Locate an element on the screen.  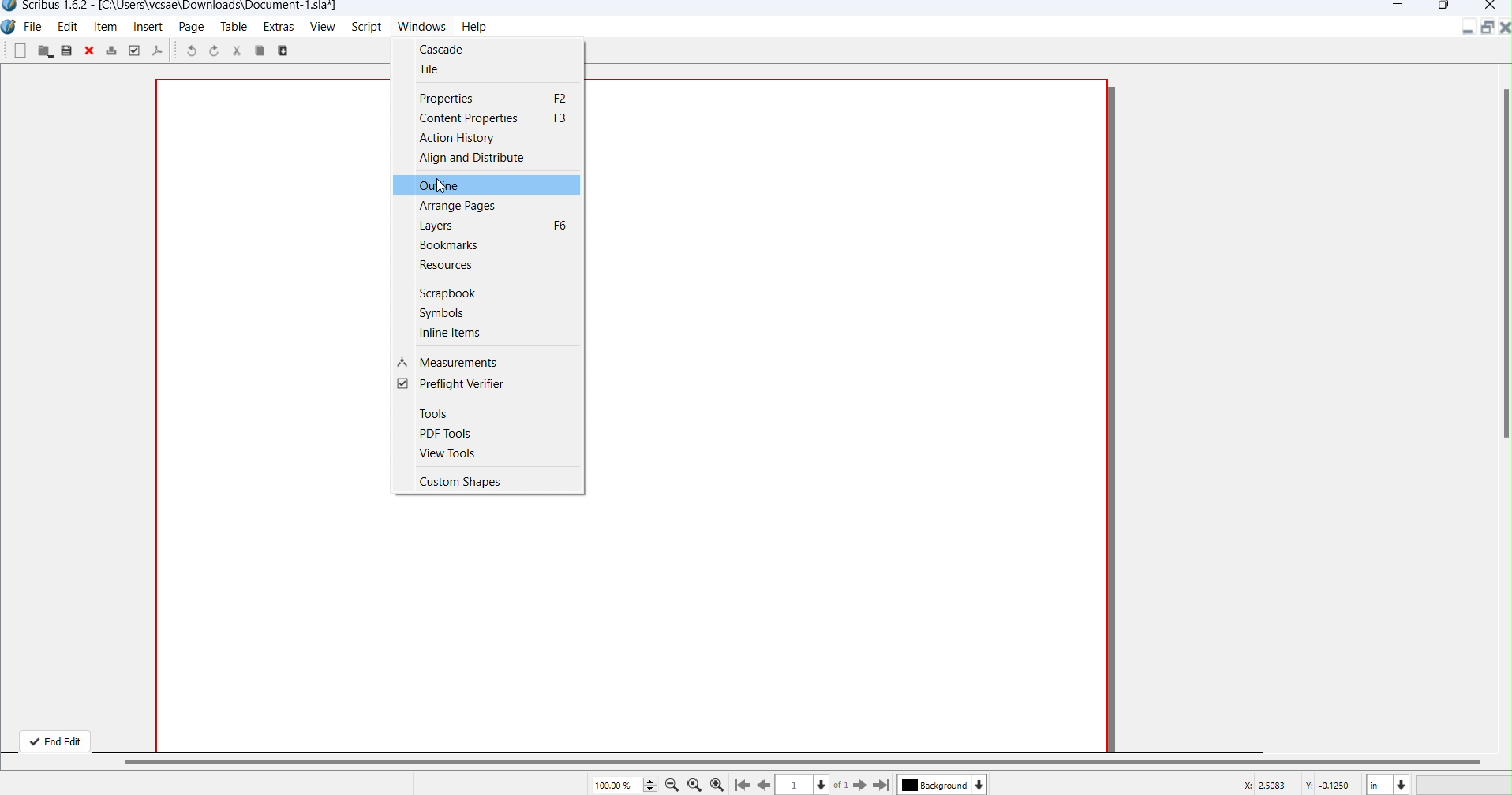
Scribus is located at coordinates (169, 9).